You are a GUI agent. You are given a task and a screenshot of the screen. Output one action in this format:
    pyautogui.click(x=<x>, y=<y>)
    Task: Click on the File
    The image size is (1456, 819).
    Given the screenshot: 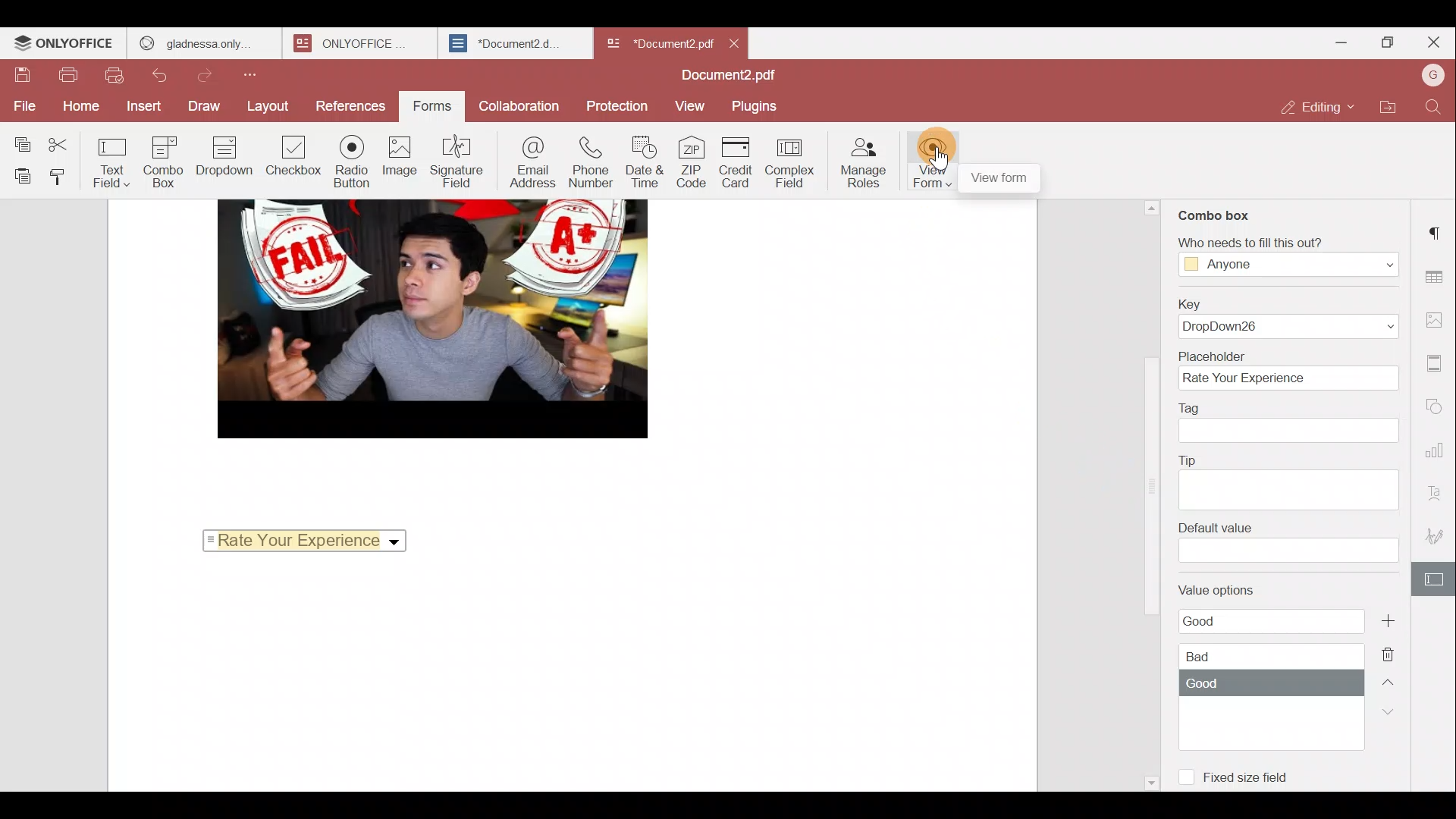 What is the action you would take?
    pyautogui.click(x=21, y=105)
    